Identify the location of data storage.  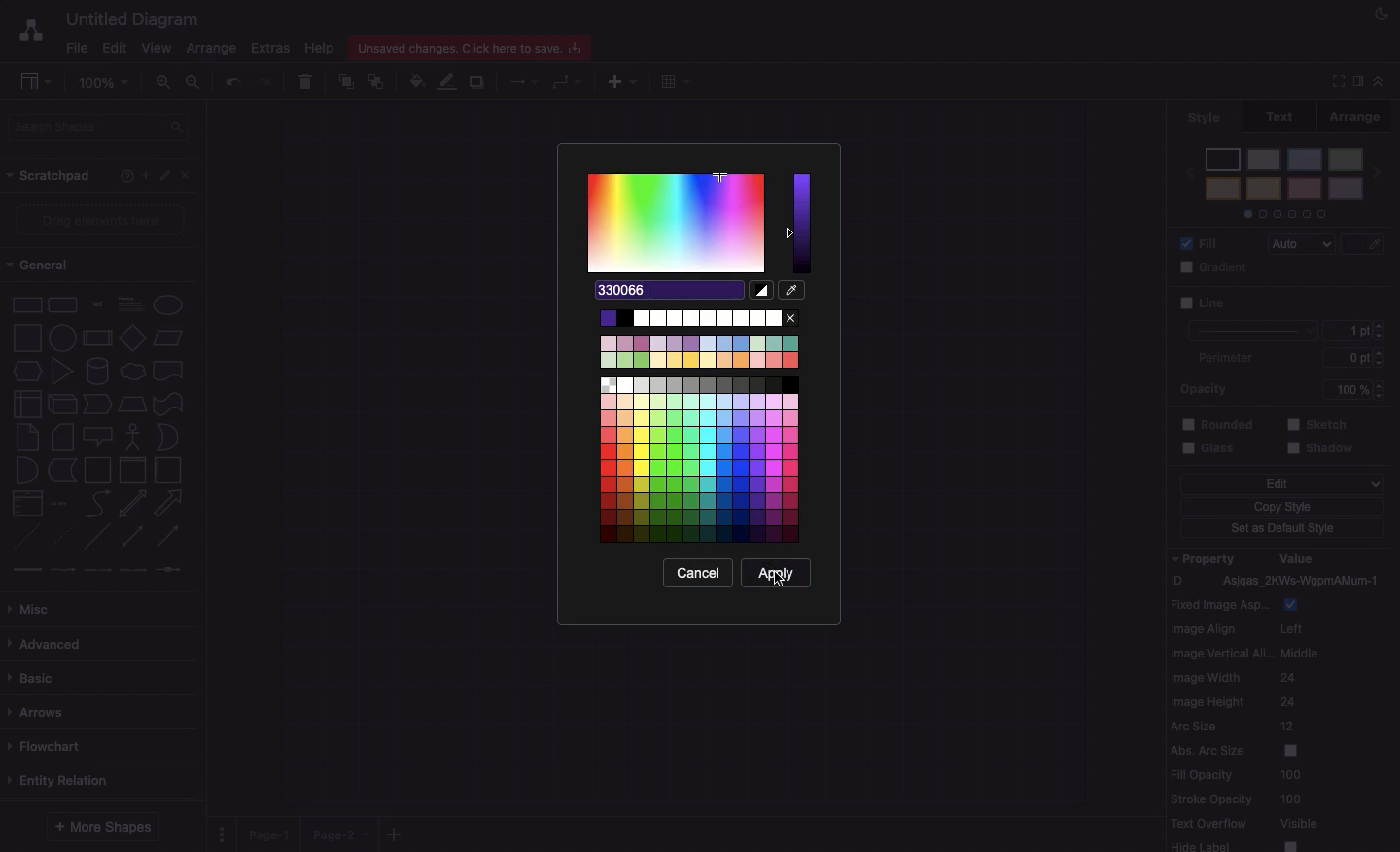
(61, 470).